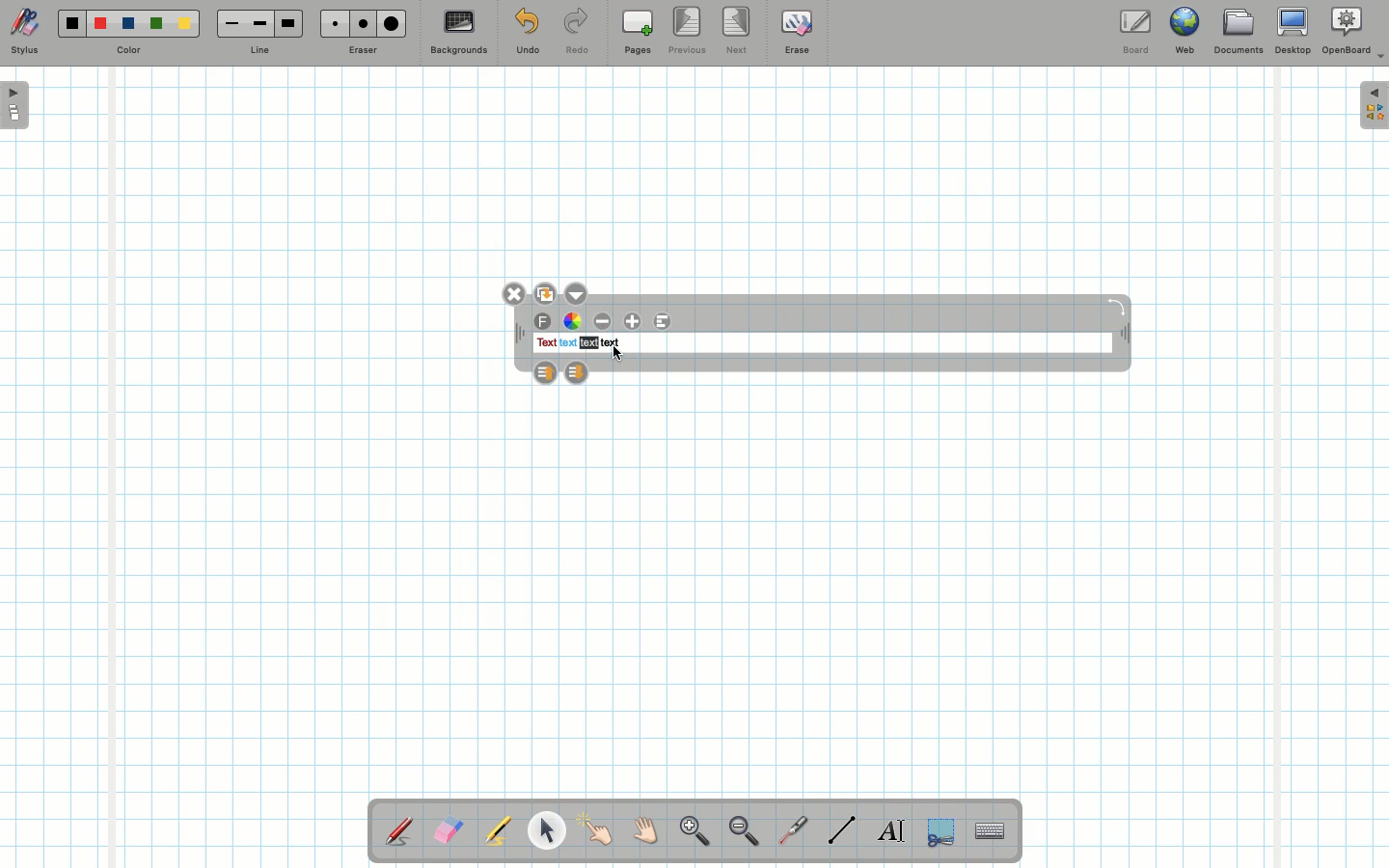  What do you see at coordinates (544, 291) in the screenshot?
I see `Duplicate` at bounding box center [544, 291].